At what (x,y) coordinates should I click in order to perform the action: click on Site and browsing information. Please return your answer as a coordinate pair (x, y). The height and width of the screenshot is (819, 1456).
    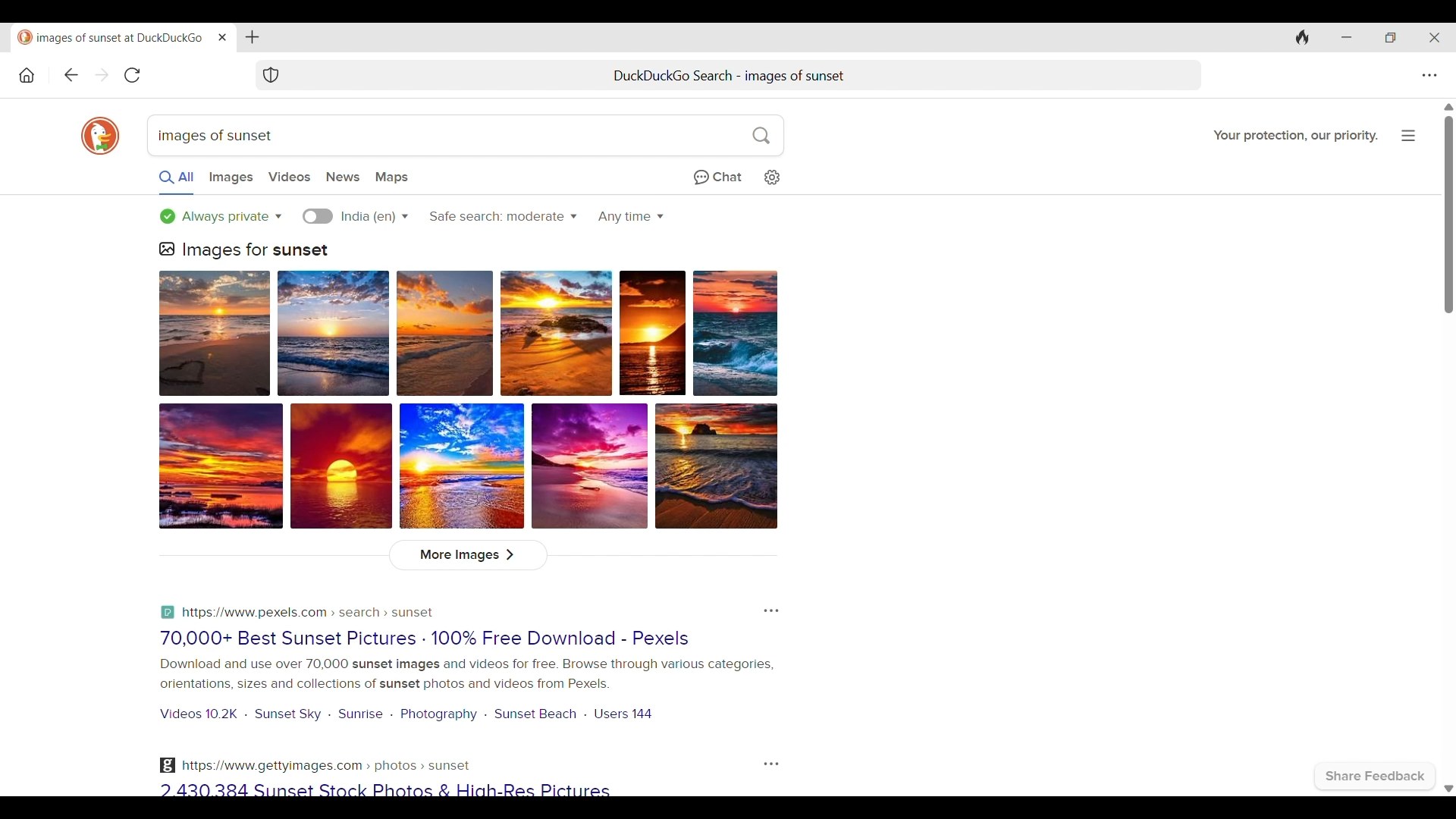
    Looking at the image, I should click on (1408, 136).